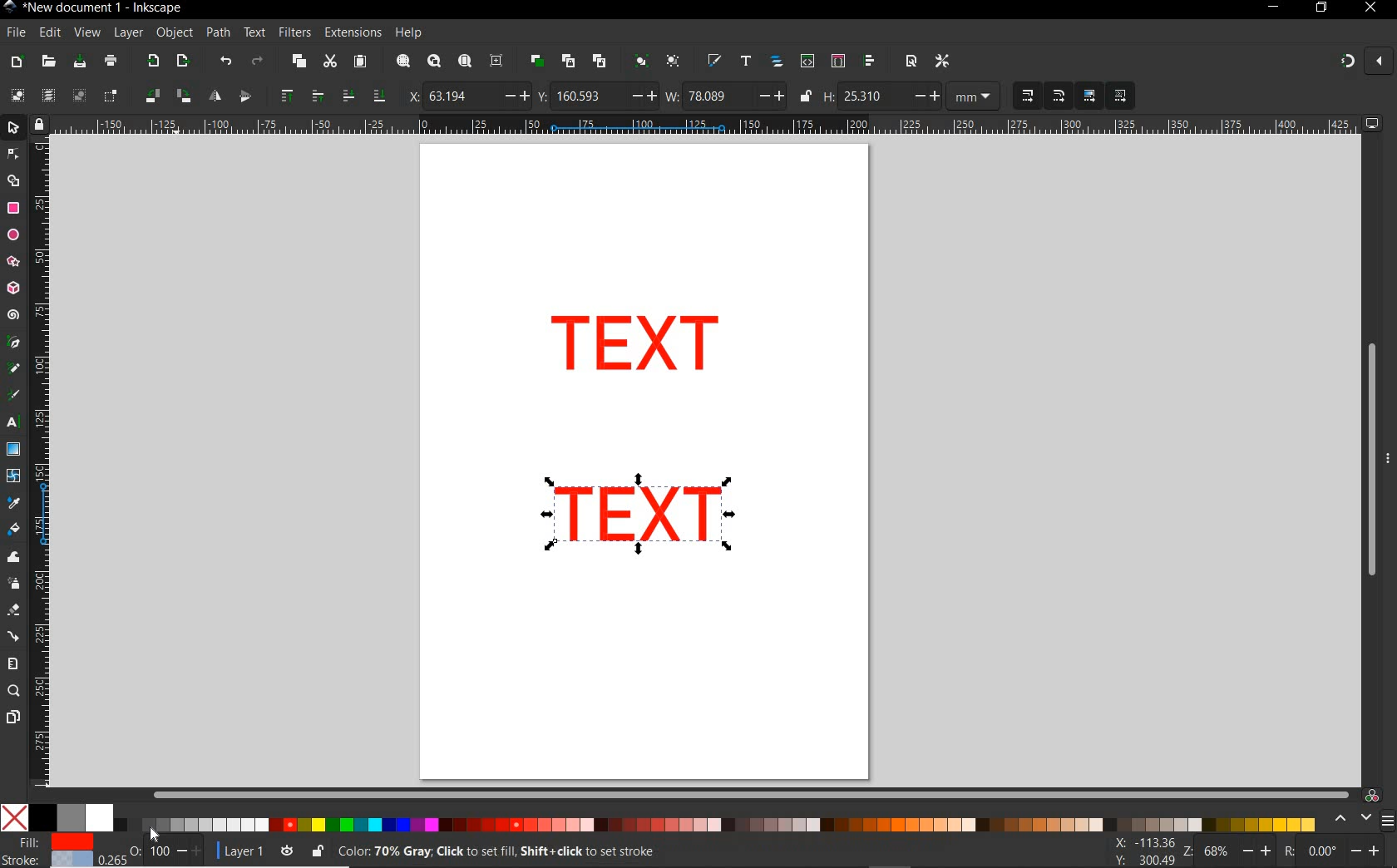 This screenshot has width=1397, height=868. I want to click on ruler, so click(42, 466).